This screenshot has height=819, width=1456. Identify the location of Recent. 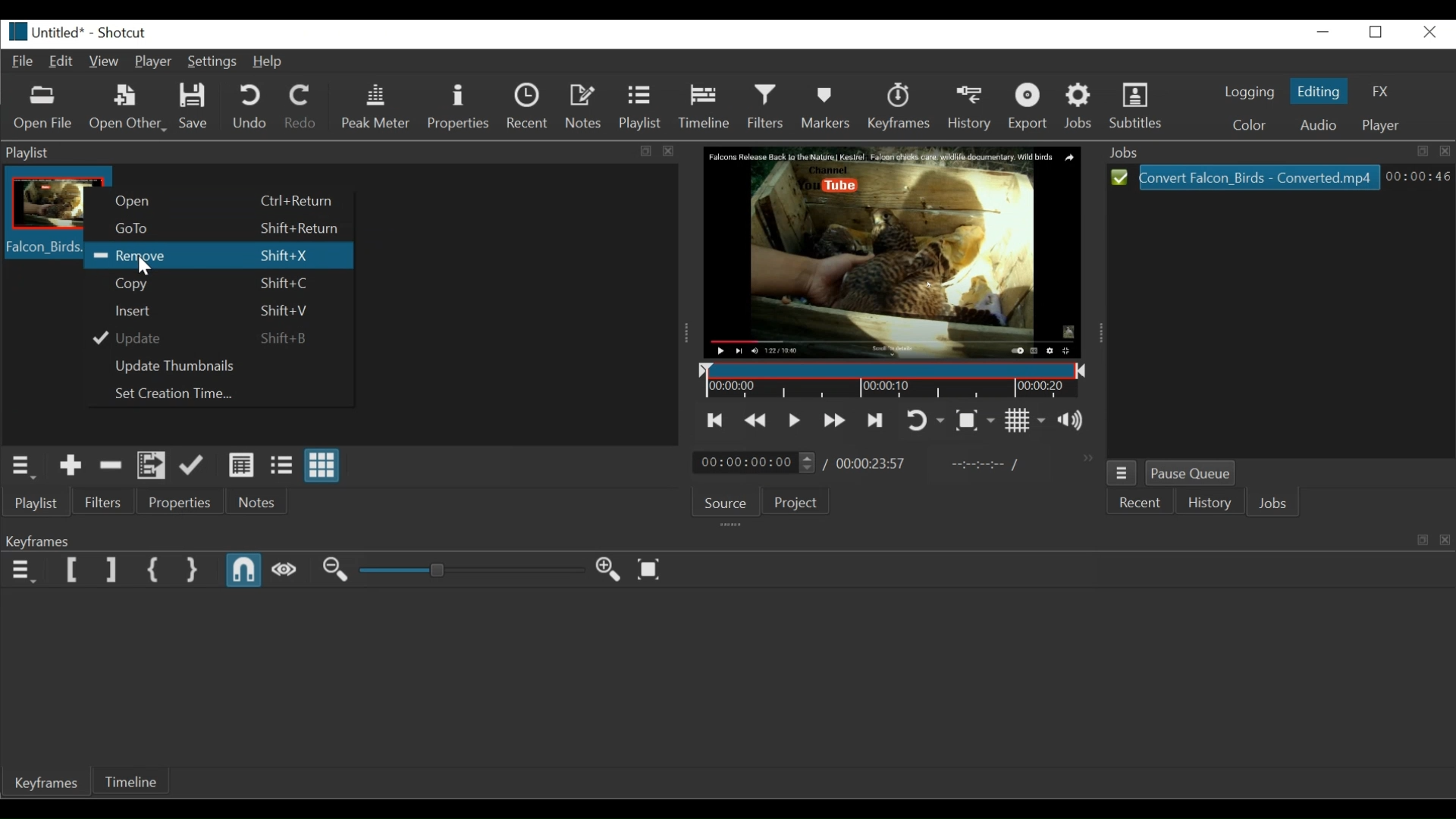
(527, 105).